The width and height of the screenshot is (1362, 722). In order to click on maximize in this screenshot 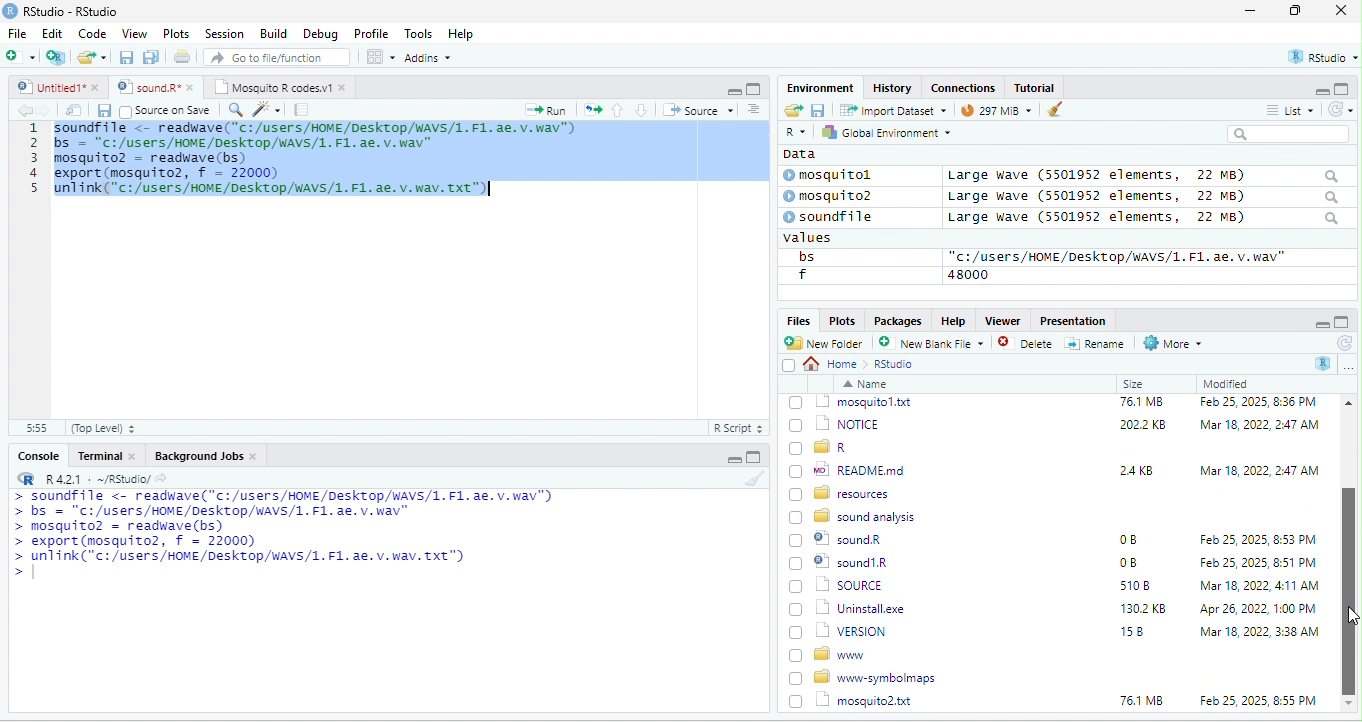, I will do `click(1299, 12)`.